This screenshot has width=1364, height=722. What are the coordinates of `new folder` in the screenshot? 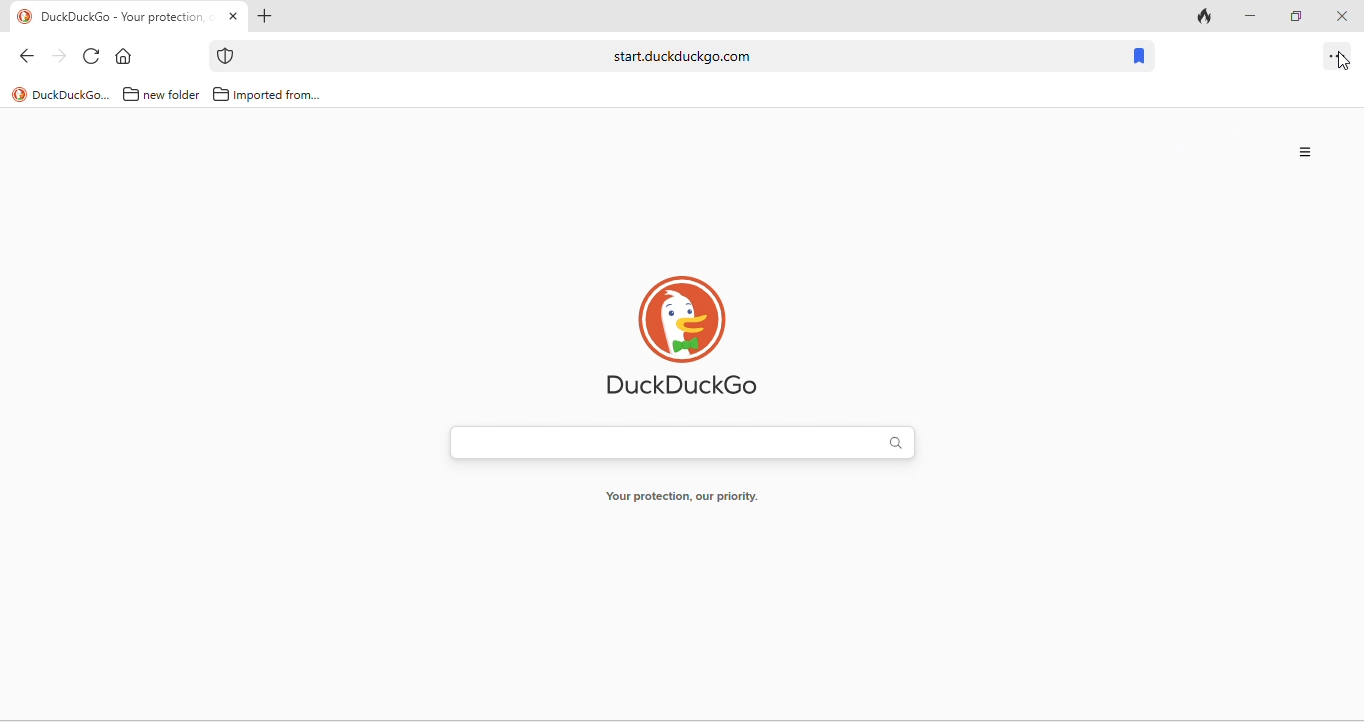 It's located at (173, 96).